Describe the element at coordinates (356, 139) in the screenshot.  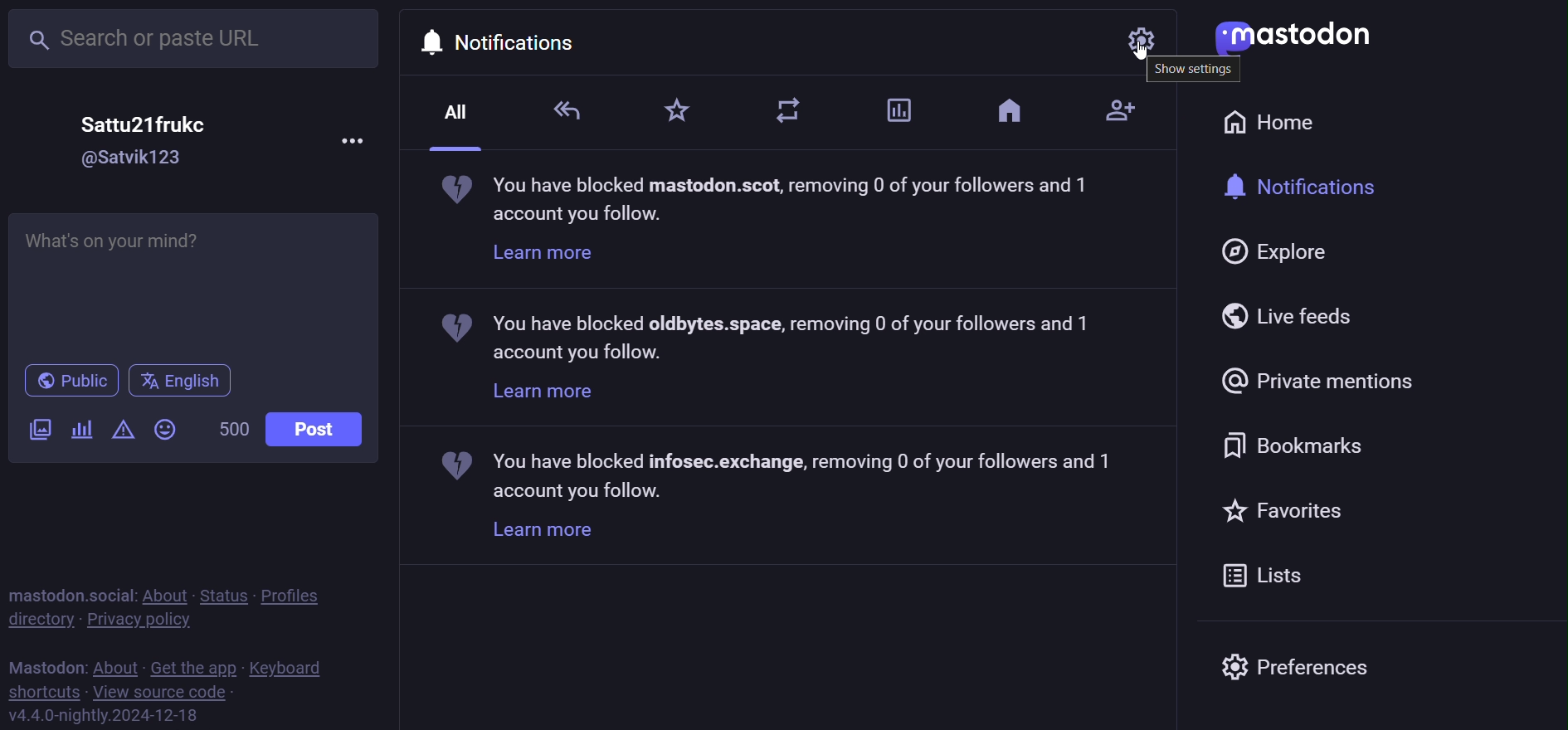
I see `more` at that location.